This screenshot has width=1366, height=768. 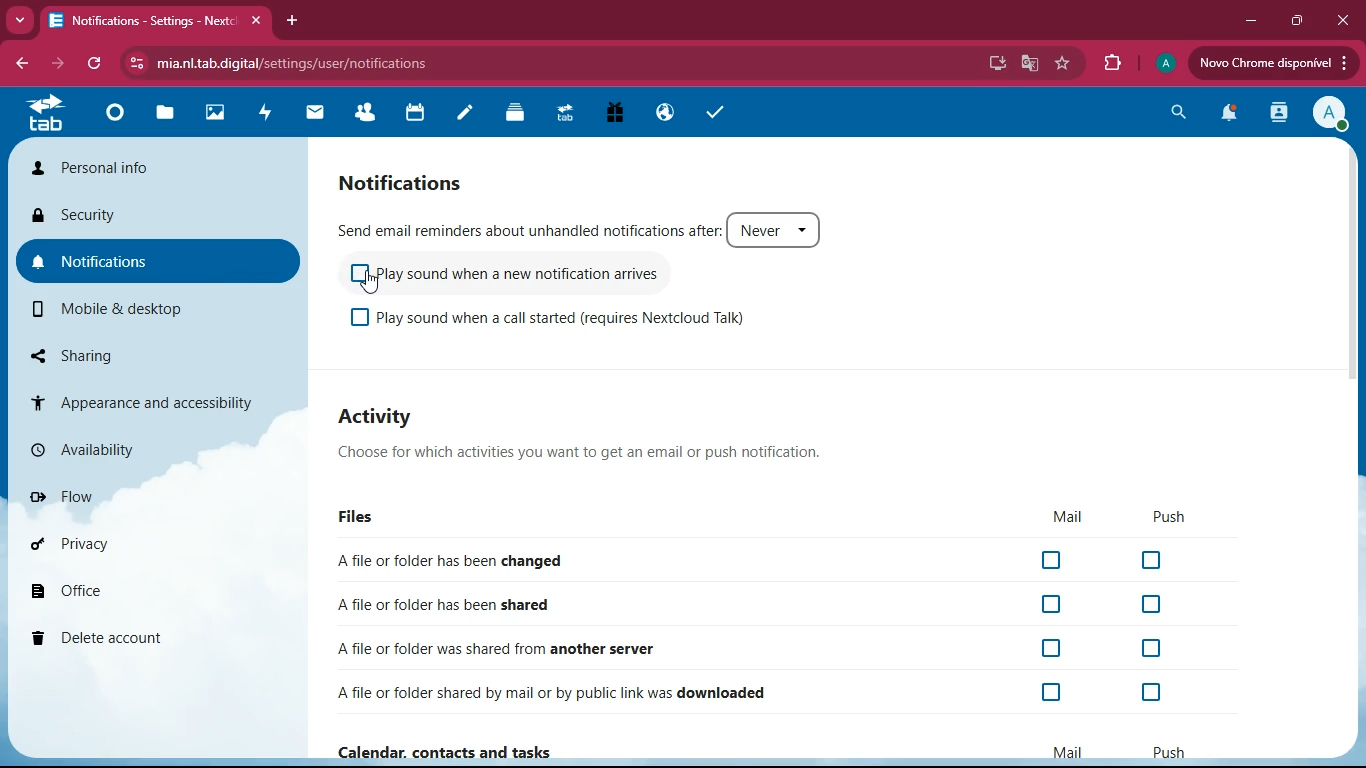 I want to click on another server, so click(x=505, y=648).